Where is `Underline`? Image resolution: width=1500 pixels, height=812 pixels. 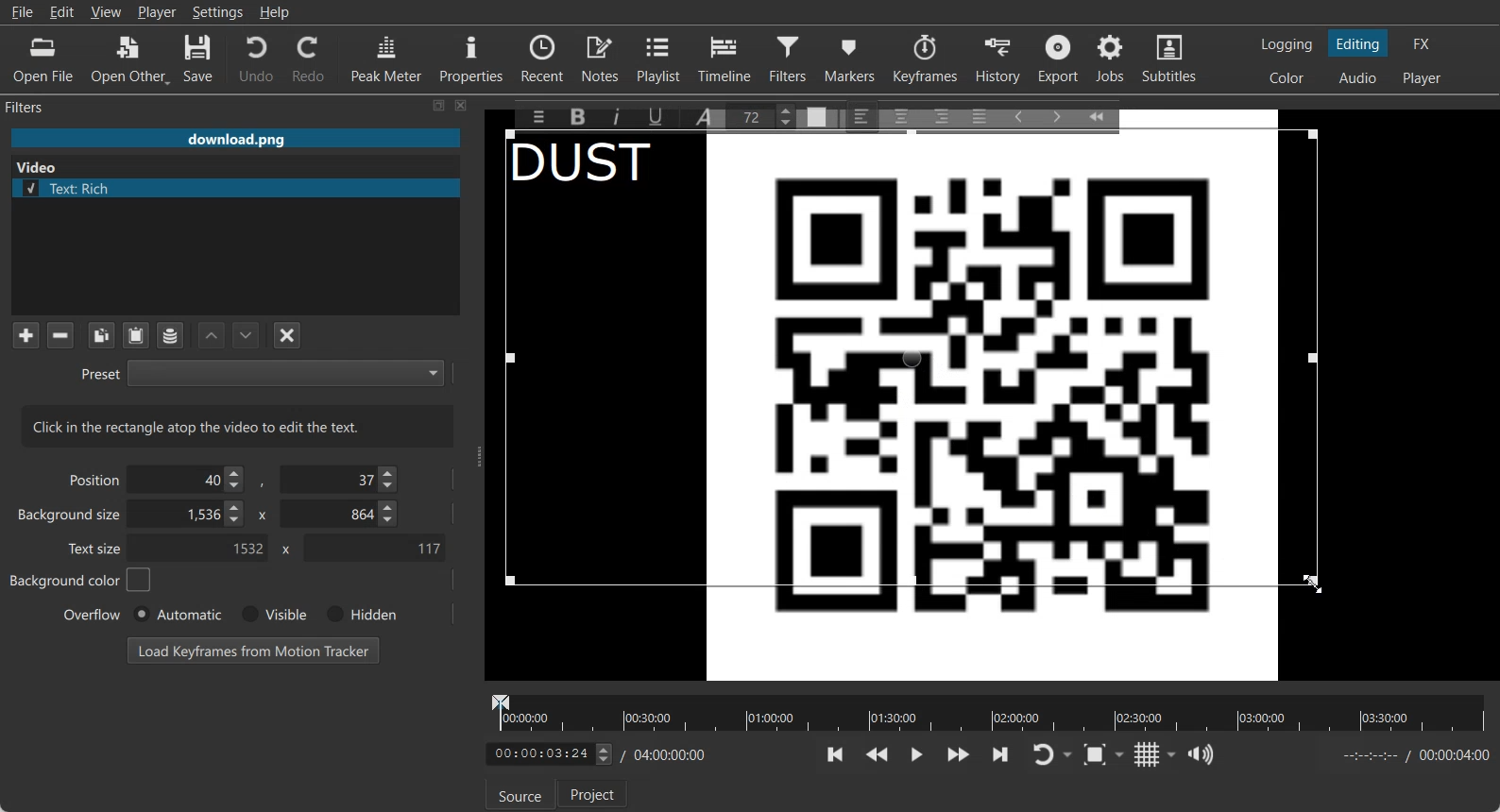
Underline is located at coordinates (662, 116).